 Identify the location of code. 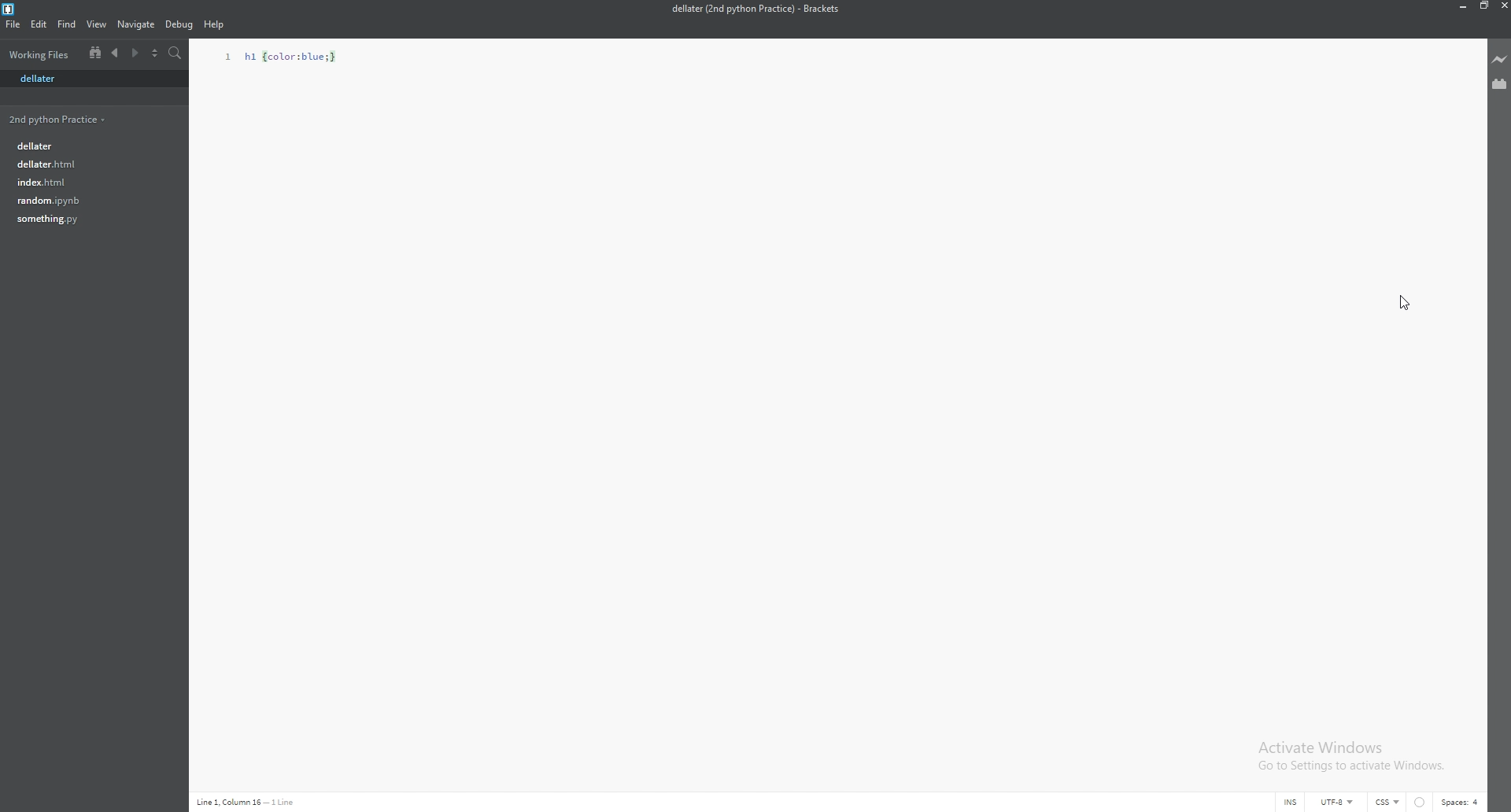
(286, 56).